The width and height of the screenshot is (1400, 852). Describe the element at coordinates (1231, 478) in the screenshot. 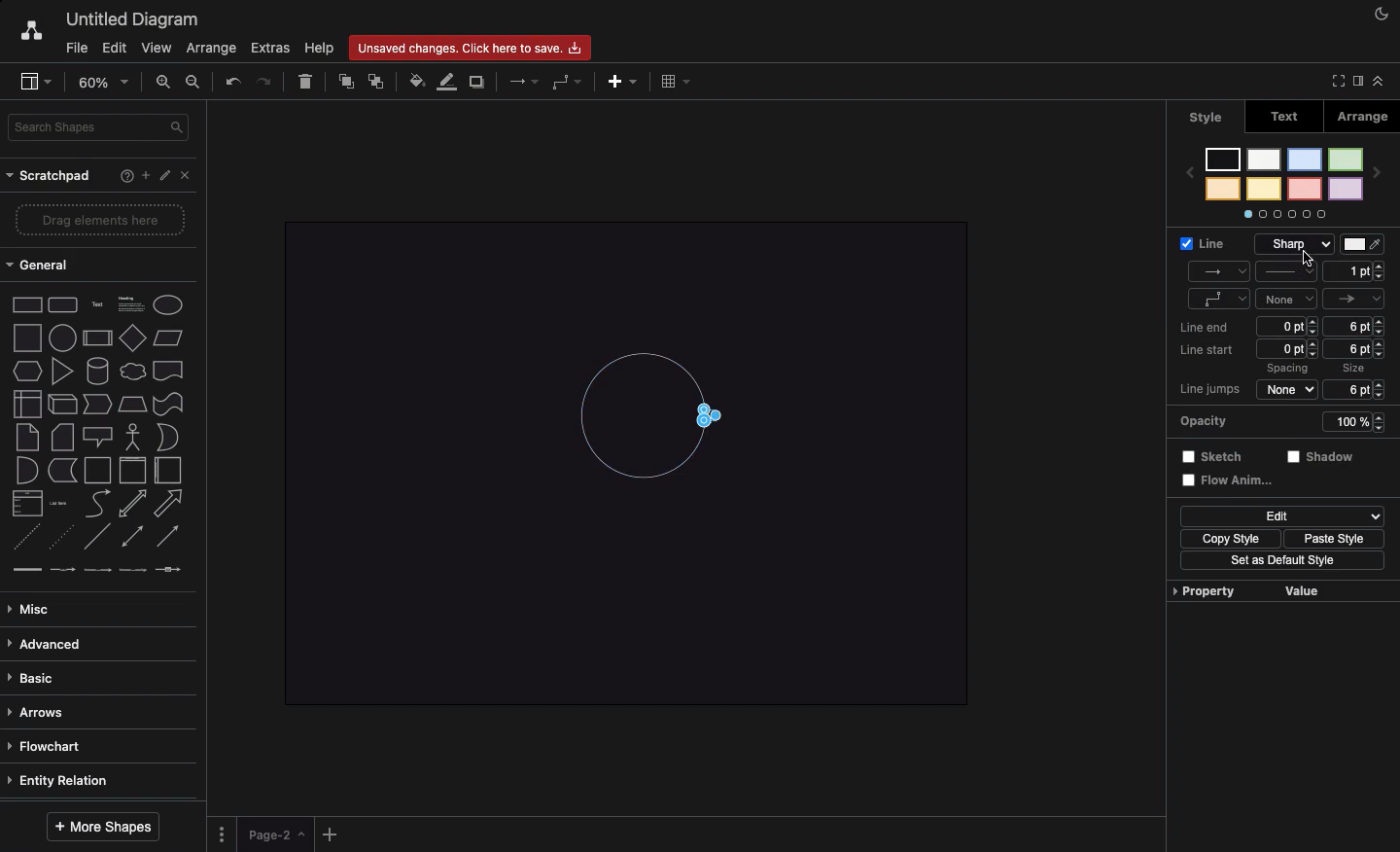

I see `Flow animation` at that location.